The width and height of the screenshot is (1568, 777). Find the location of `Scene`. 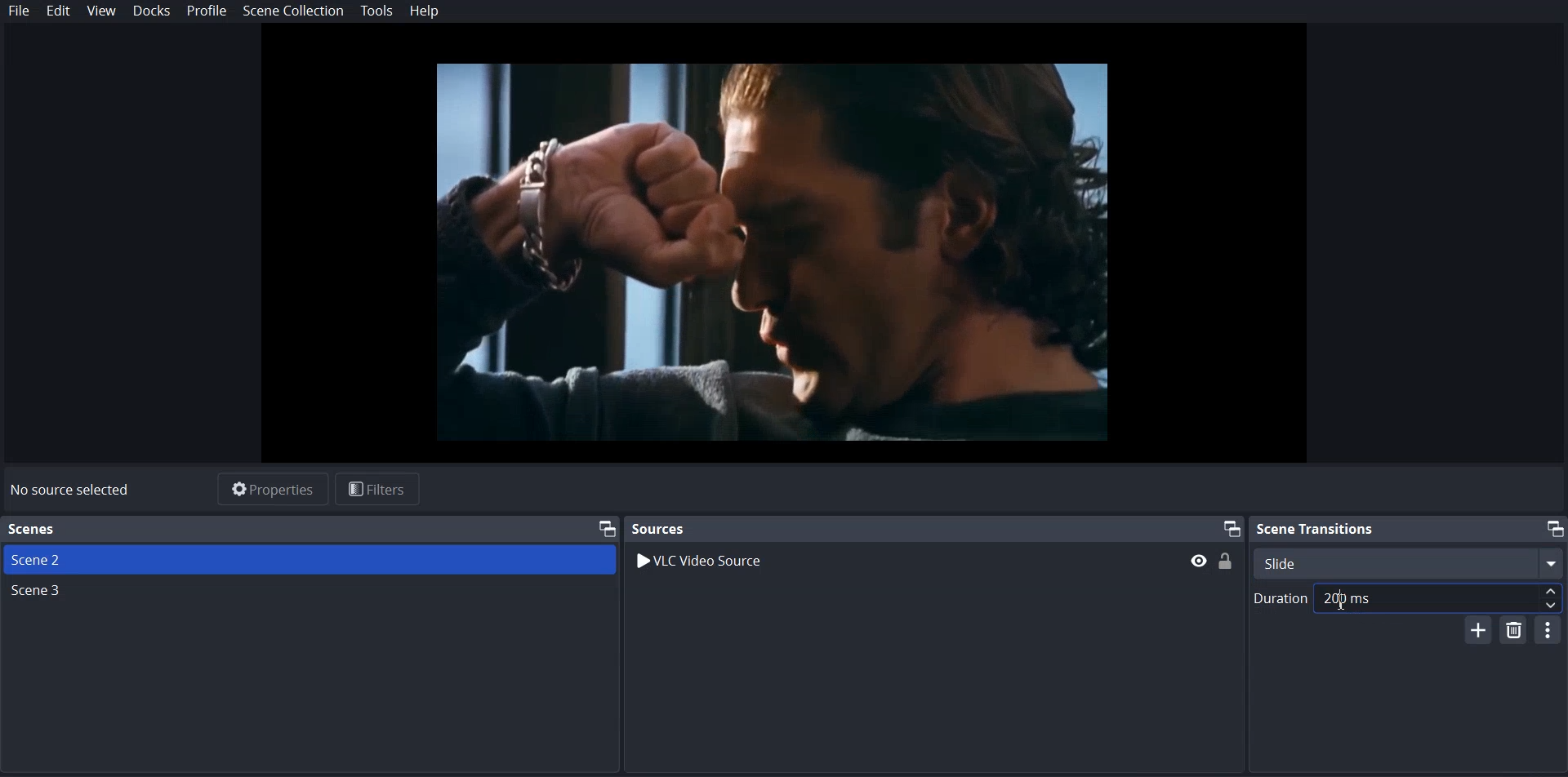

Scene is located at coordinates (40, 591).